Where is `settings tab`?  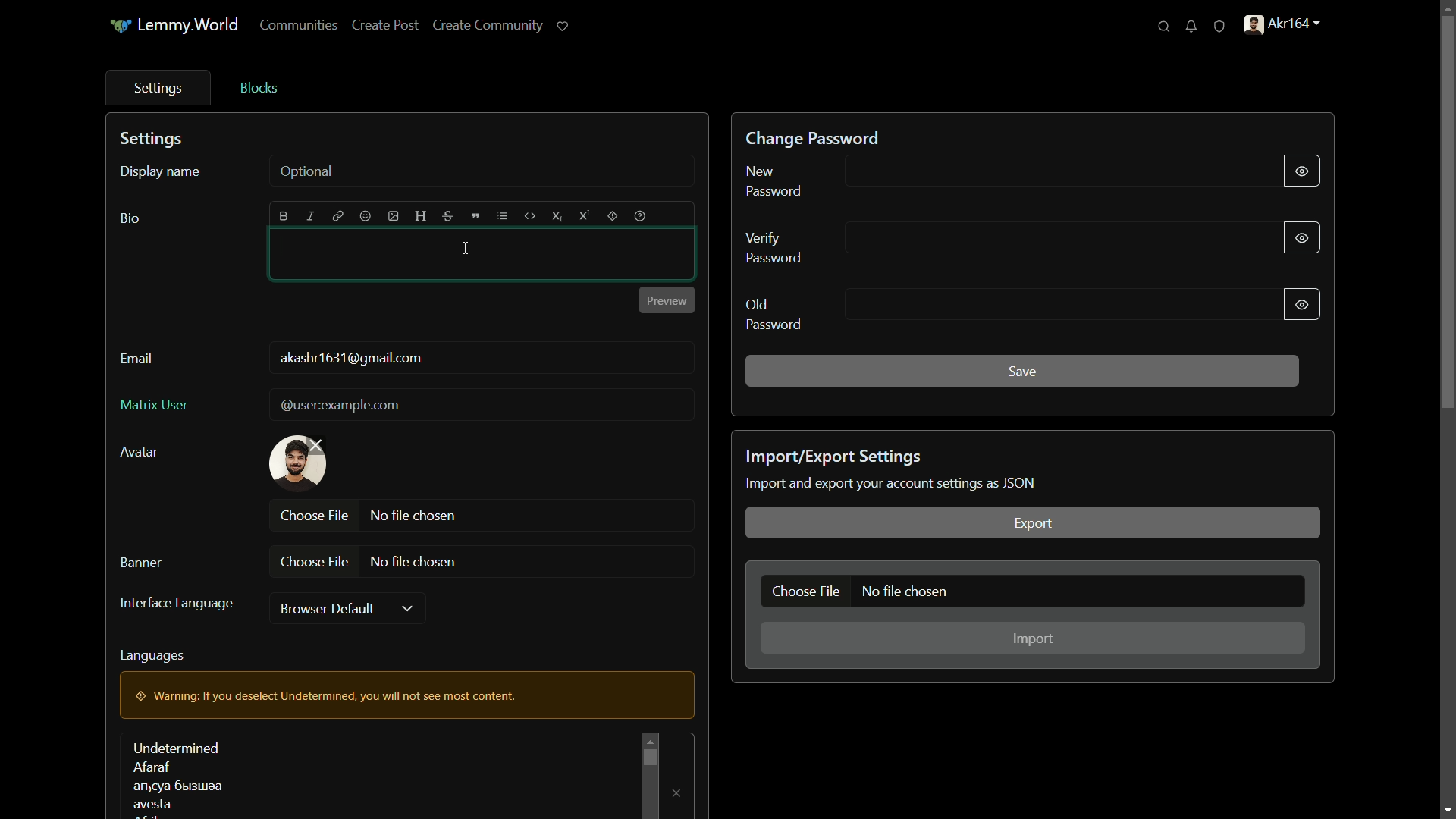 settings tab is located at coordinates (161, 89).